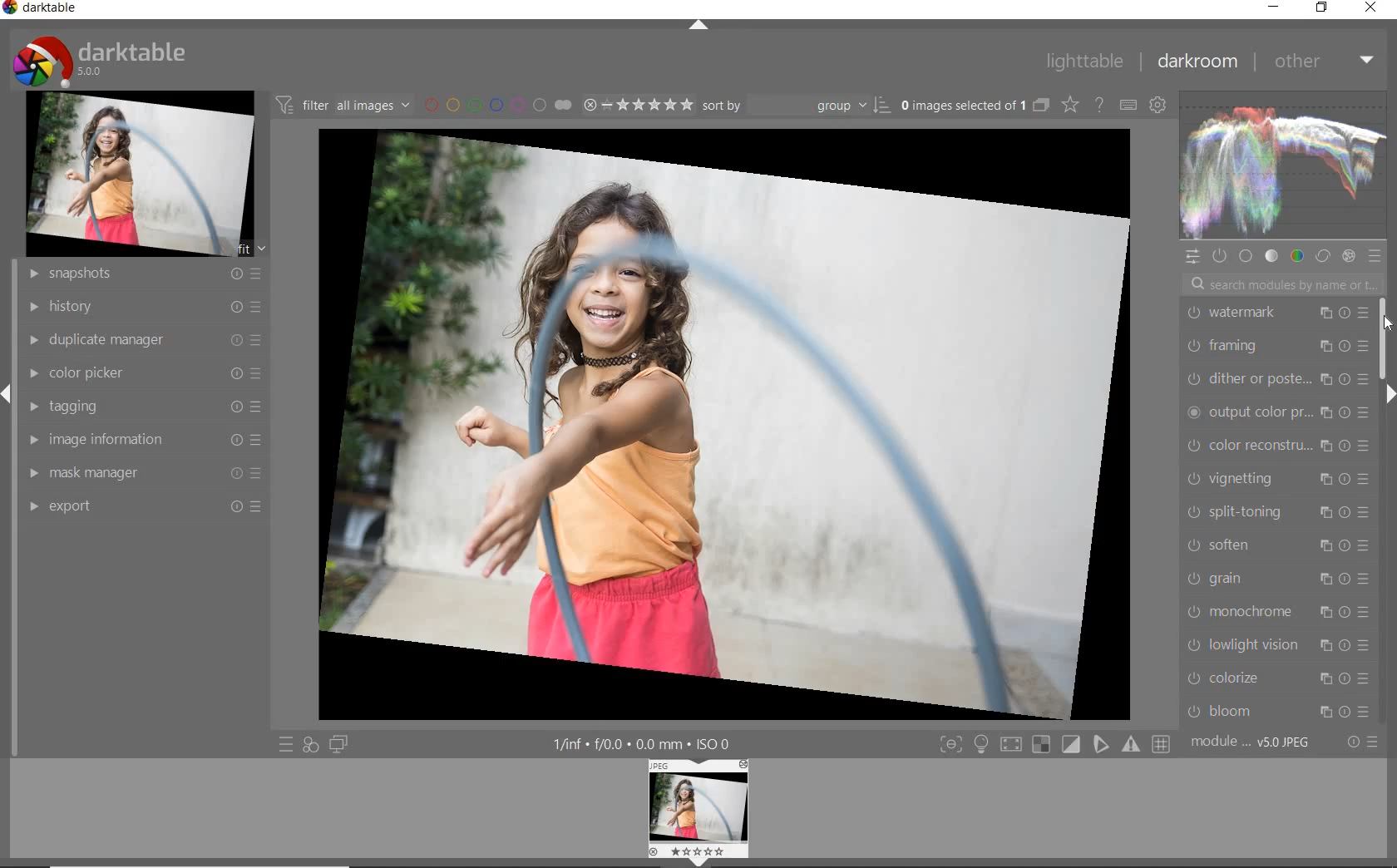  I want to click on CURSOR, so click(1386, 323).